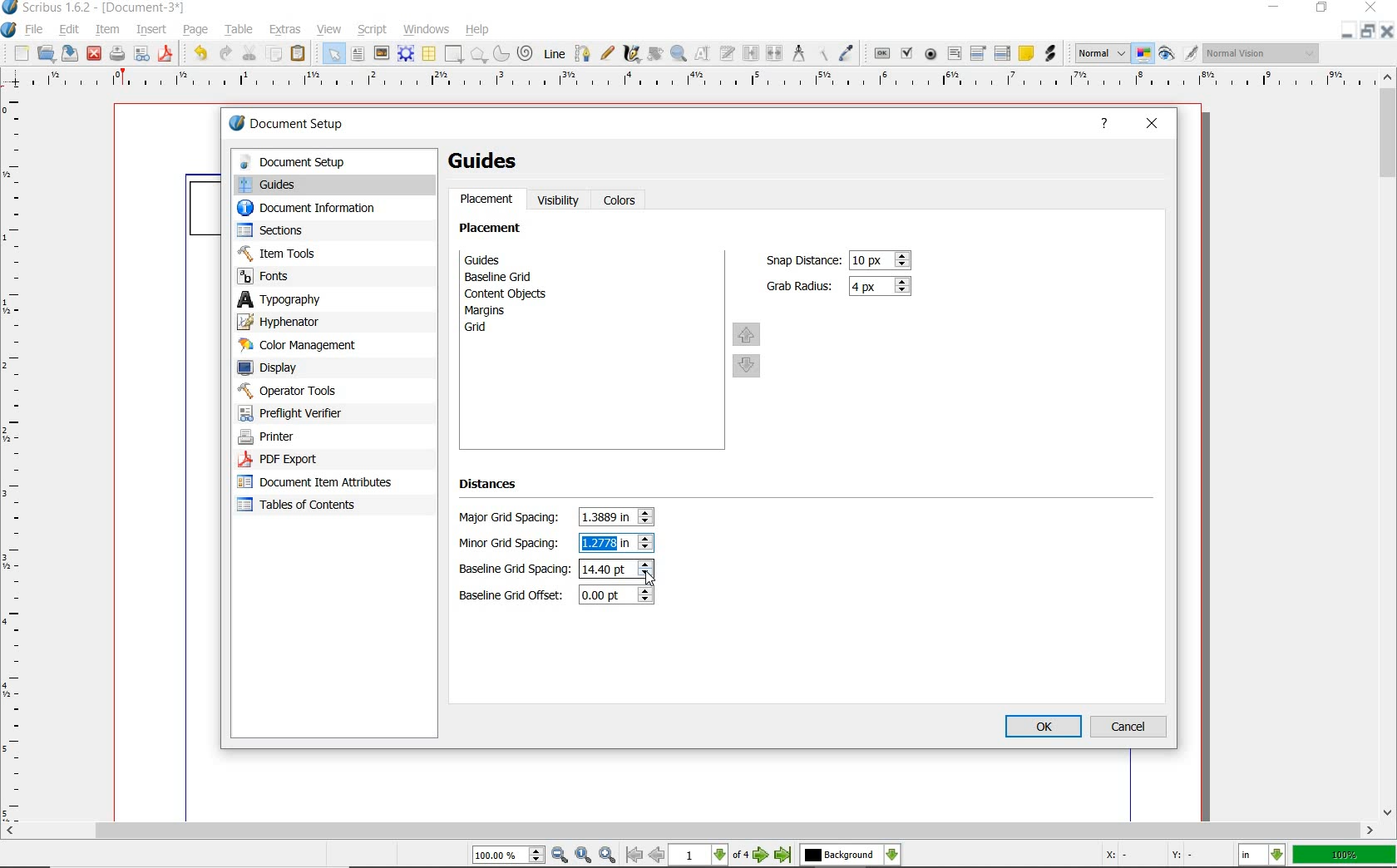 The height and width of the screenshot is (868, 1397). I want to click on grid, so click(498, 329).